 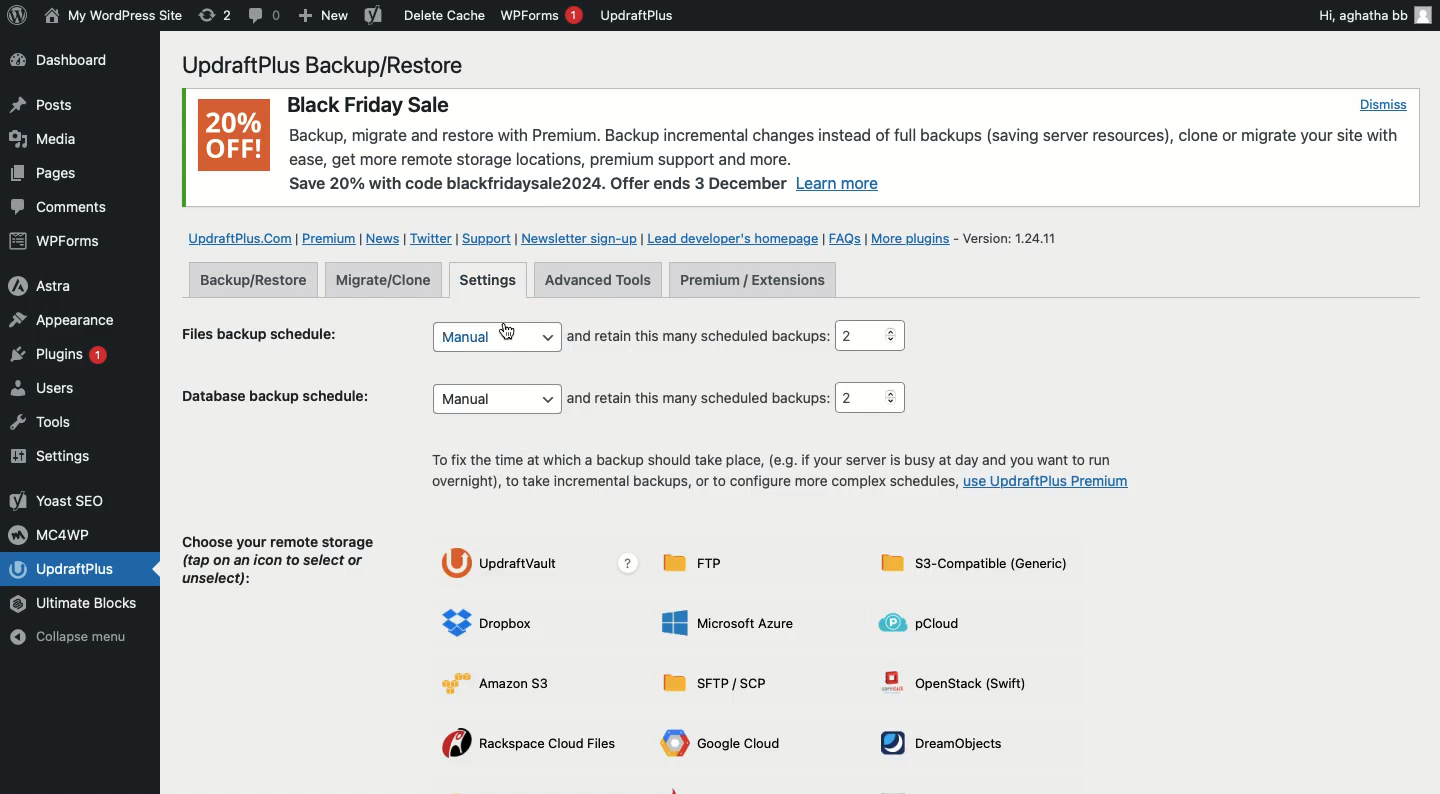 What do you see at coordinates (83, 569) in the screenshot?
I see `UpdraftPlus` at bounding box center [83, 569].